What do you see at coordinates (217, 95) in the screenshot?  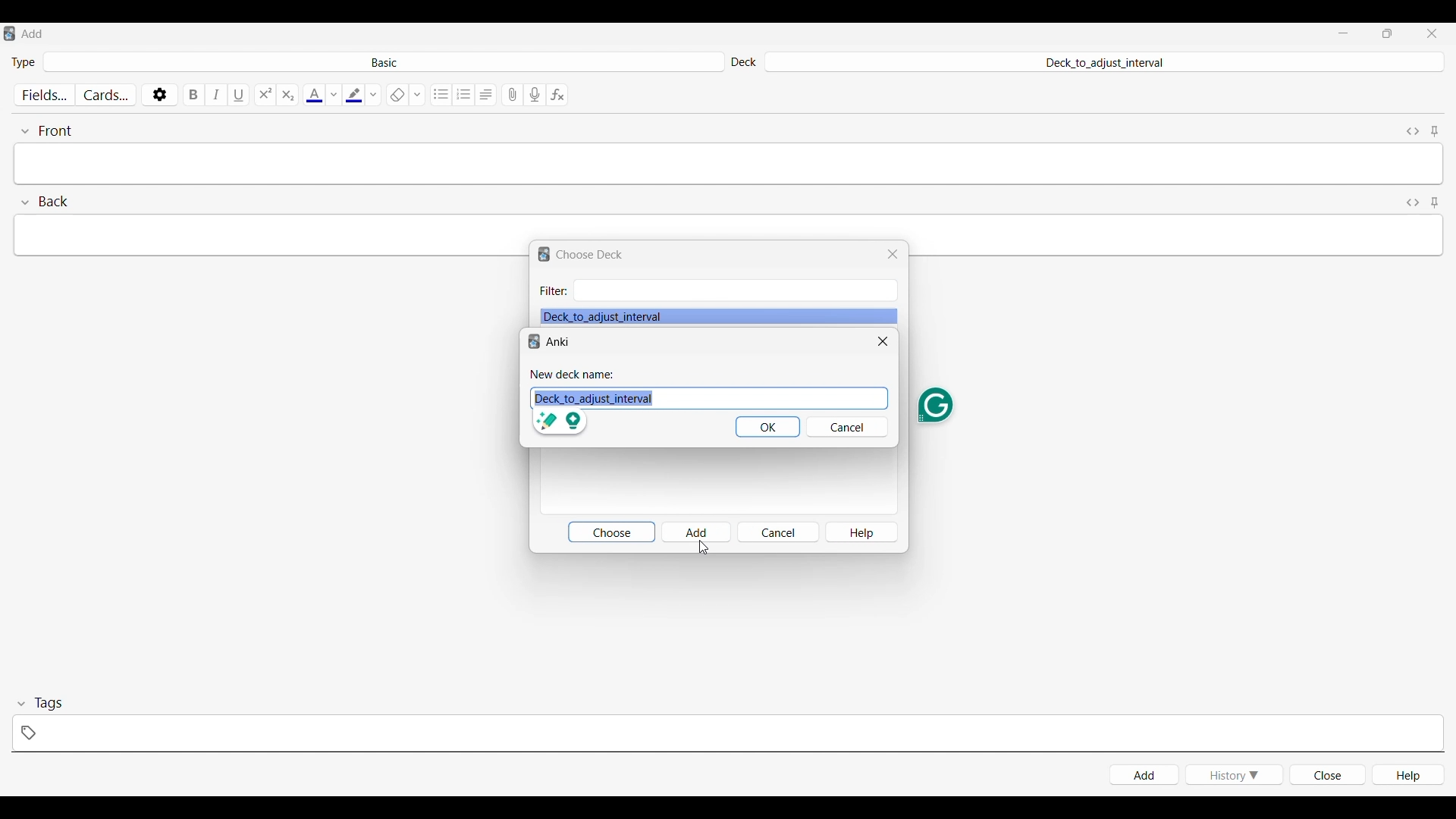 I see `Italics` at bounding box center [217, 95].